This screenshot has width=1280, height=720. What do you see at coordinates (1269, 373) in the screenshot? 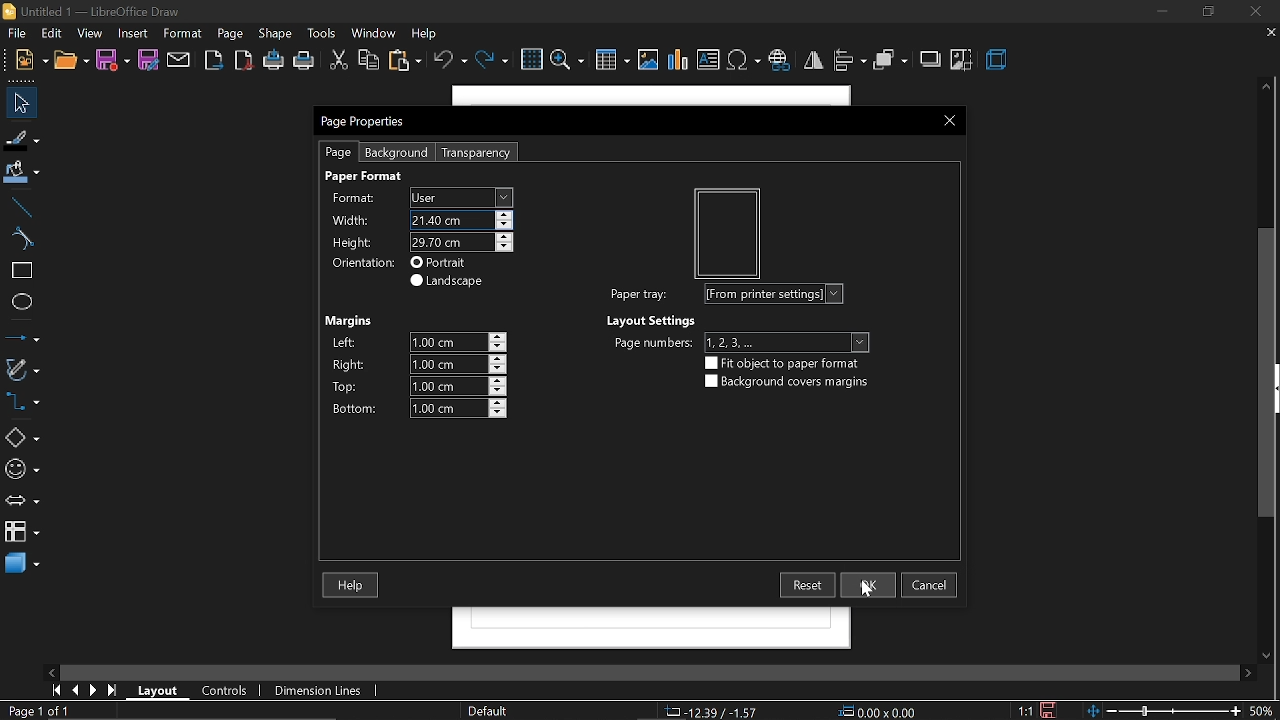
I see `vertical scrollbar` at bounding box center [1269, 373].